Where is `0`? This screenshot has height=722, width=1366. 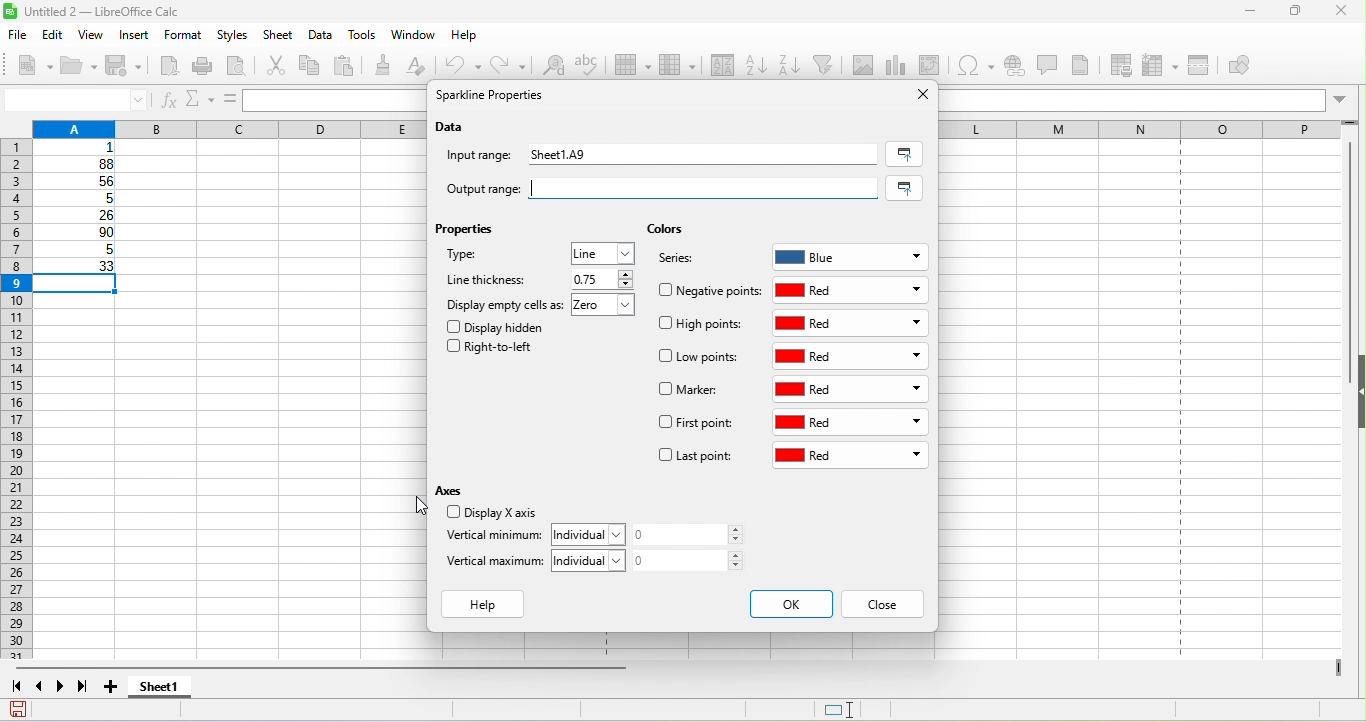
0 is located at coordinates (694, 560).